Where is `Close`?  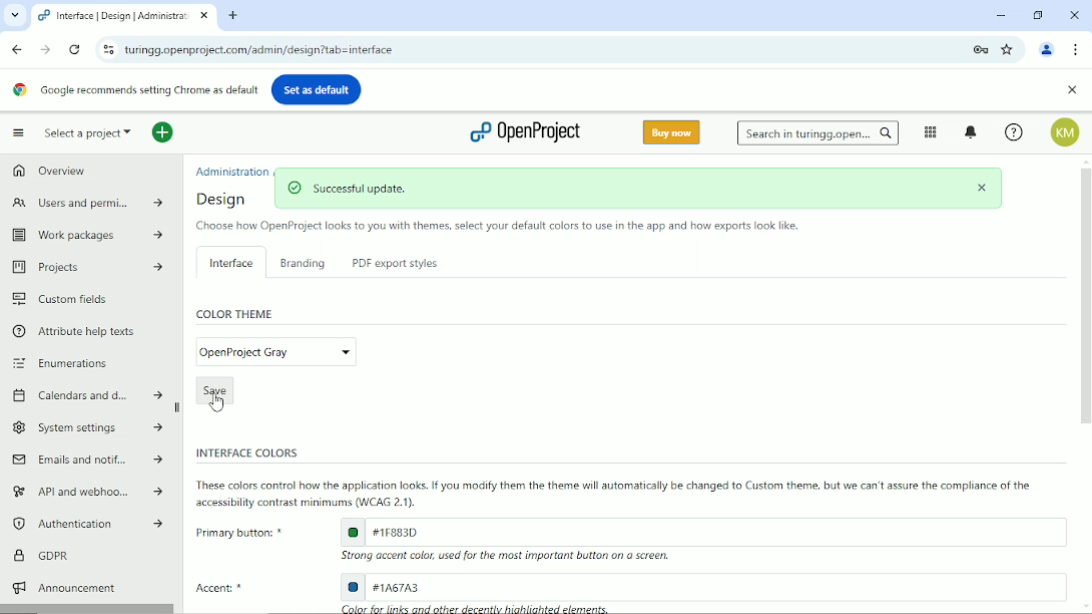
Close is located at coordinates (1074, 13).